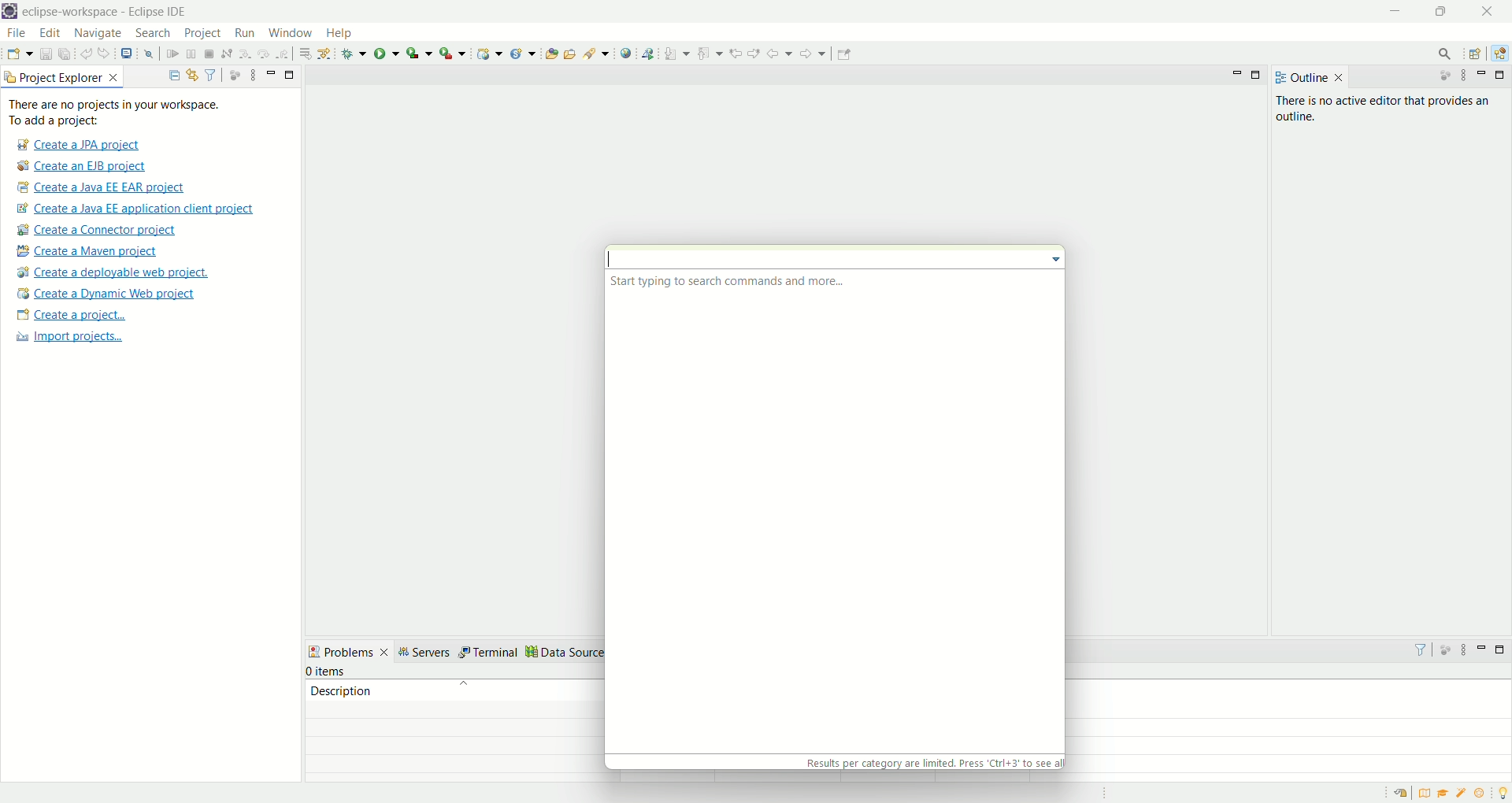 The width and height of the screenshot is (1512, 803). Describe the element at coordinates (350, 650) in the screenshot. I see `problems` at that location.